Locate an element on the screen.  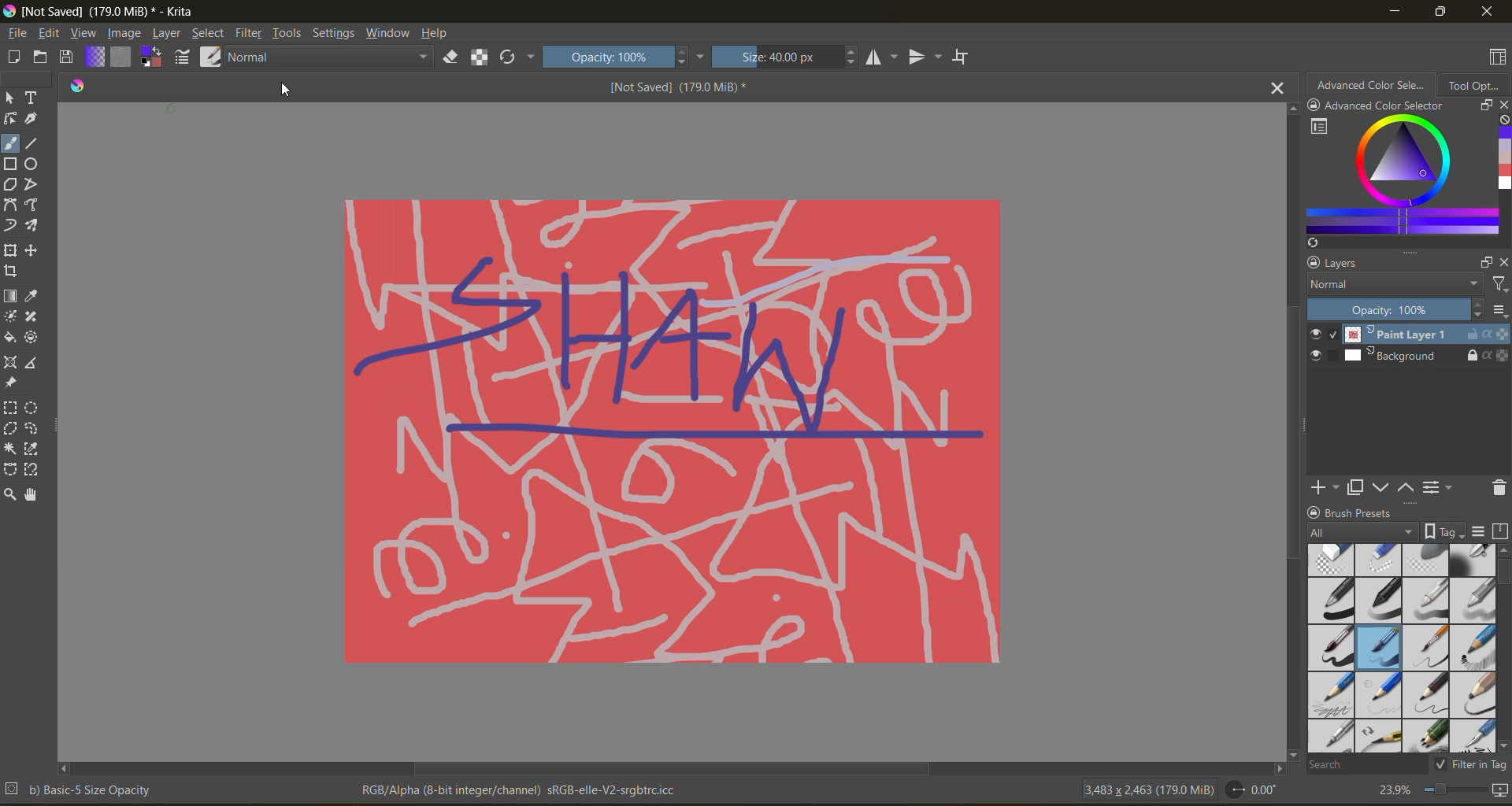
polyline tool is located at coordinates (31, 184).